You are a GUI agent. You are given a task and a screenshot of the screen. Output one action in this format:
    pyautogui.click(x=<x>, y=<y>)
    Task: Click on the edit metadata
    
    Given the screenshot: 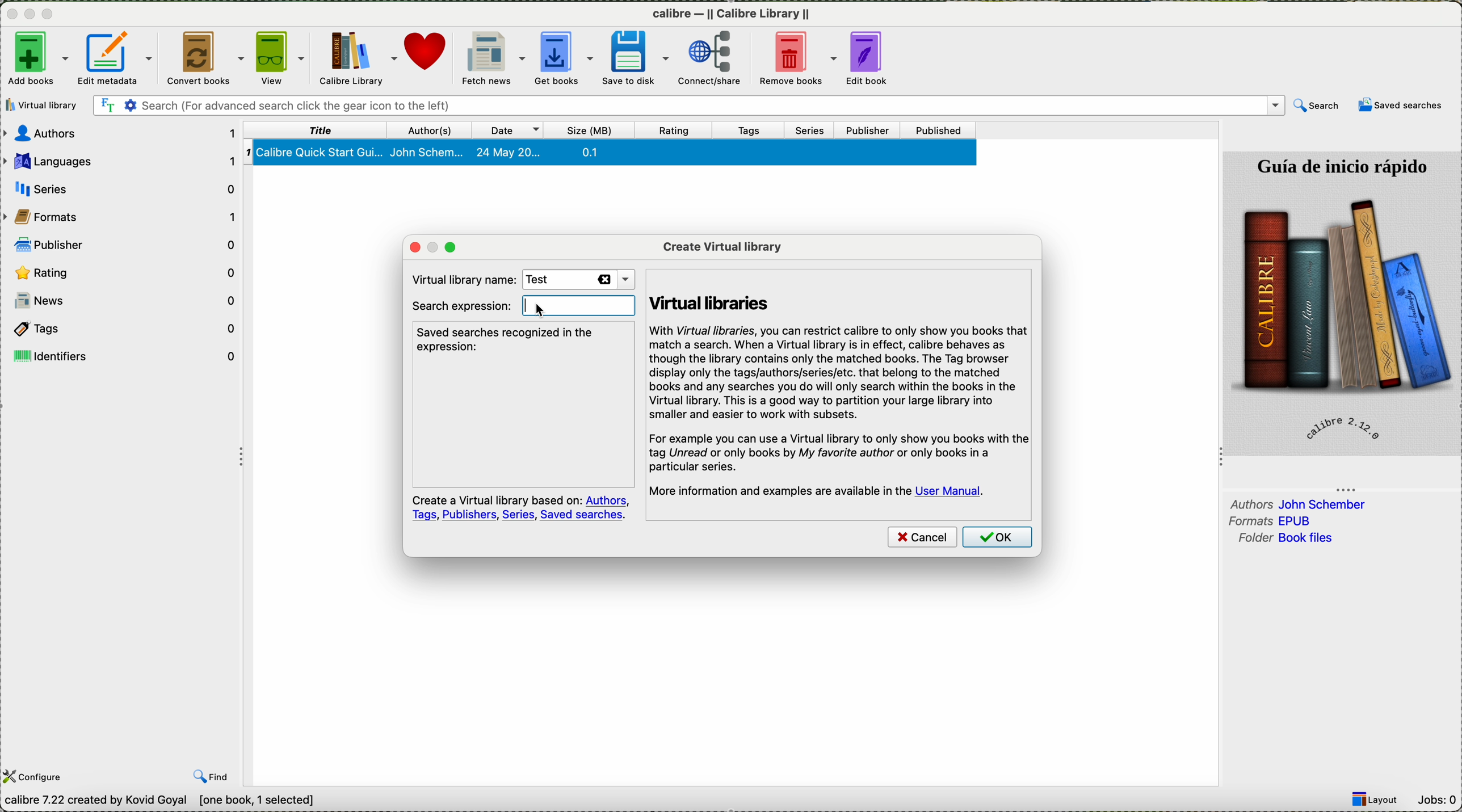 What is the action you would take?
    pyautogui.click(x=117, y=58)
    